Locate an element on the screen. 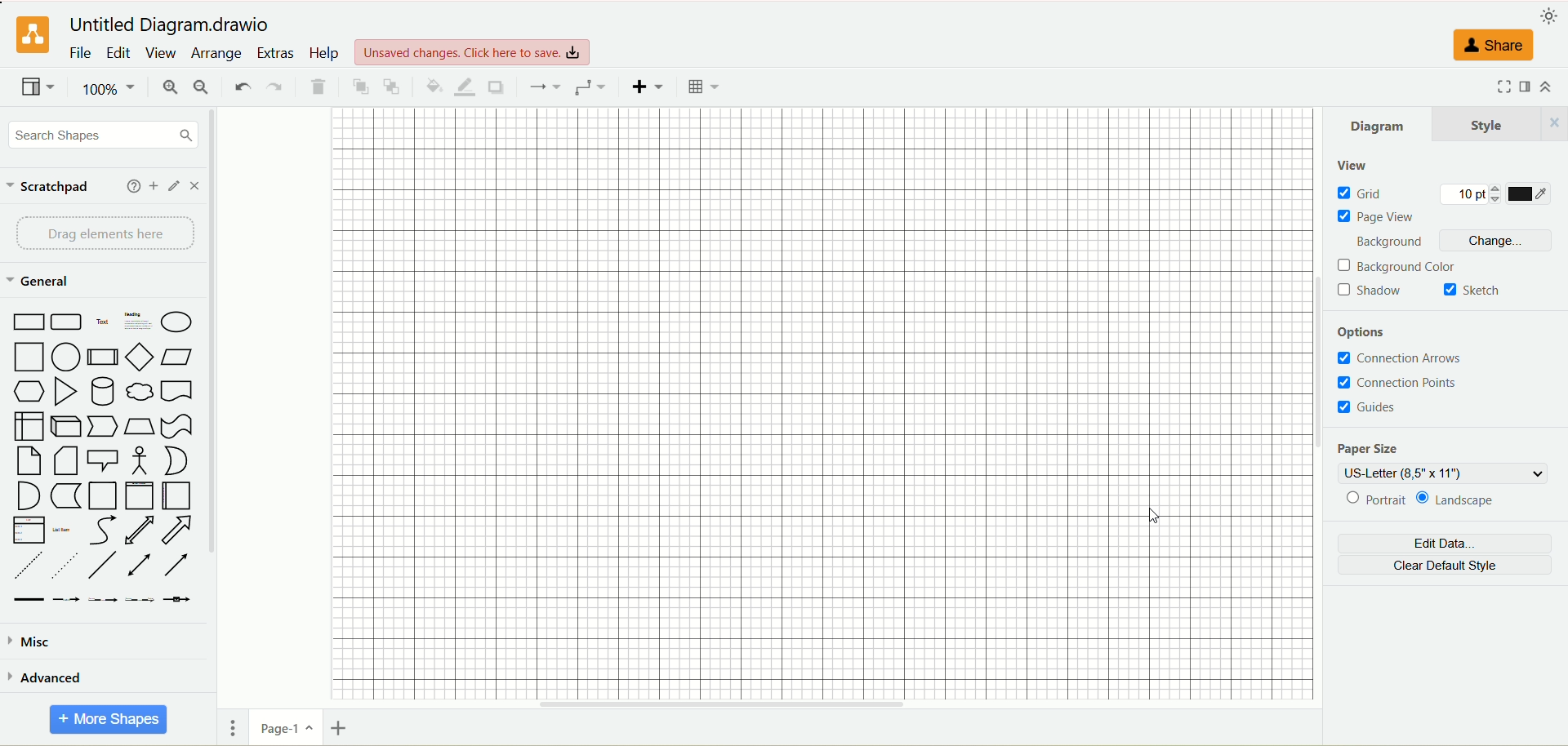 Image resolution: width=1568 pixels, height=746 pixels. redo is located at coordinates (275, 85).